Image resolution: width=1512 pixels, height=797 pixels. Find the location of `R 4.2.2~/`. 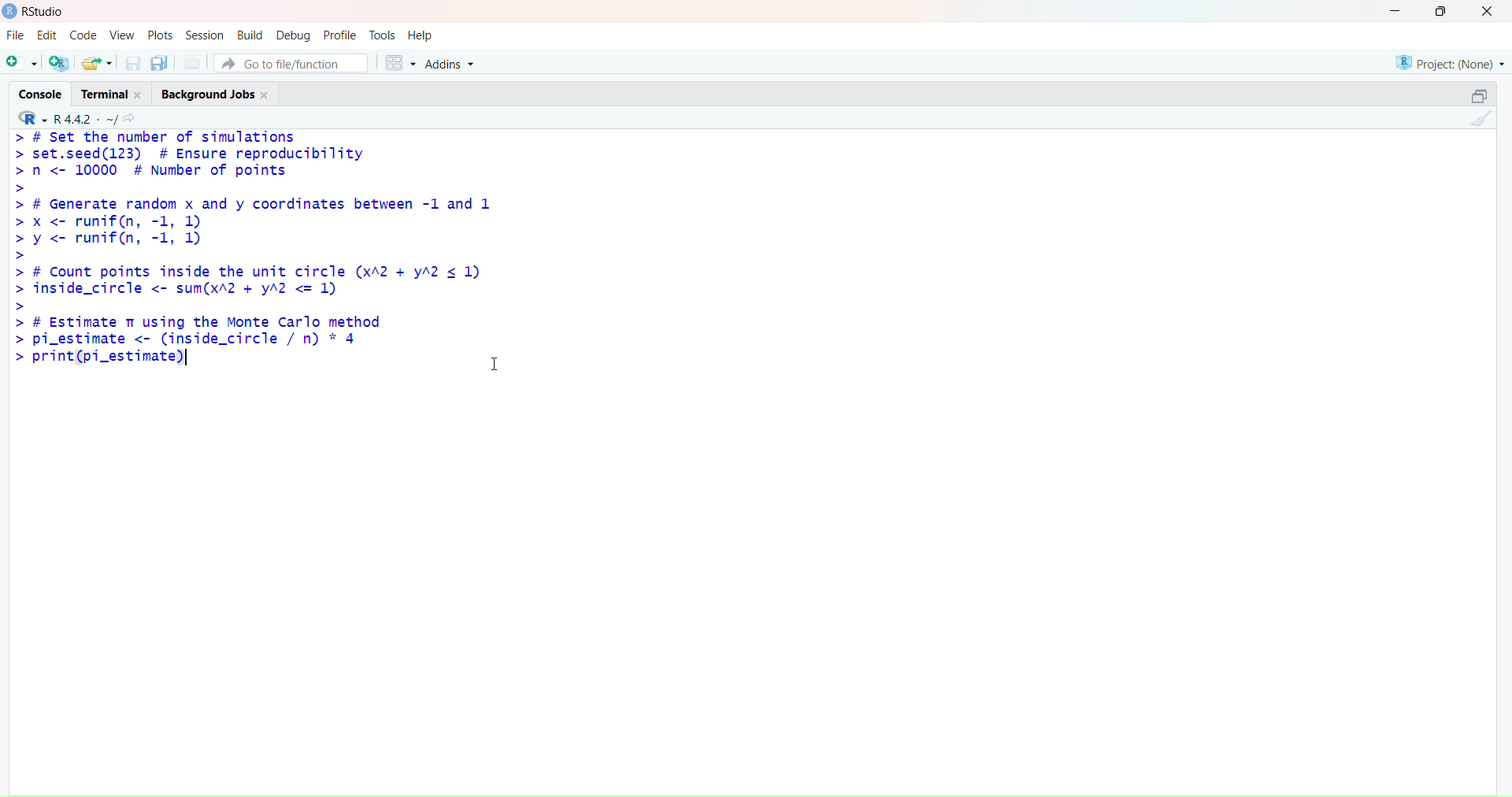

R 4.2.2~/ is located at coordinates (87, 117).